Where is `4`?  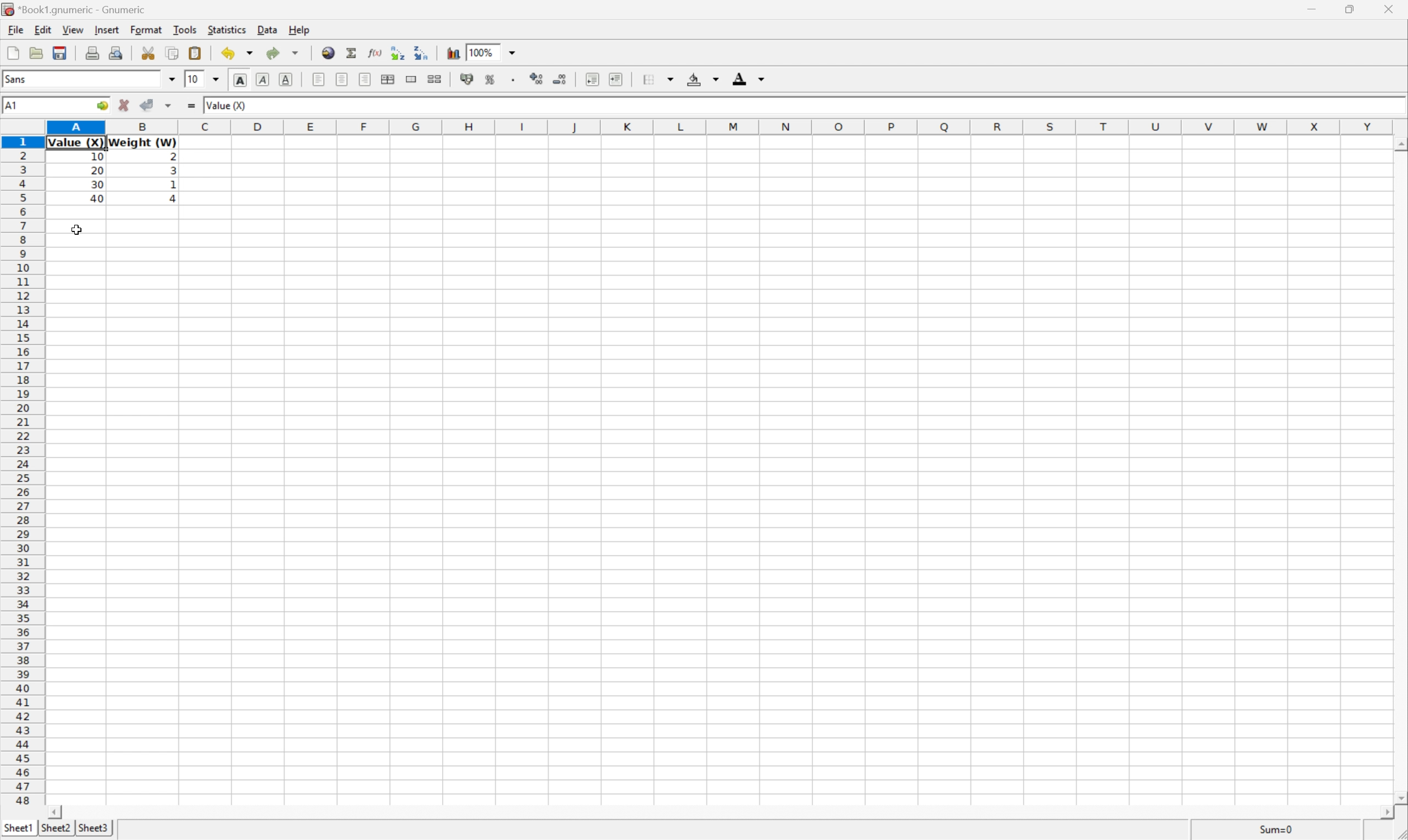 4 is located at coordinates (173, 200).